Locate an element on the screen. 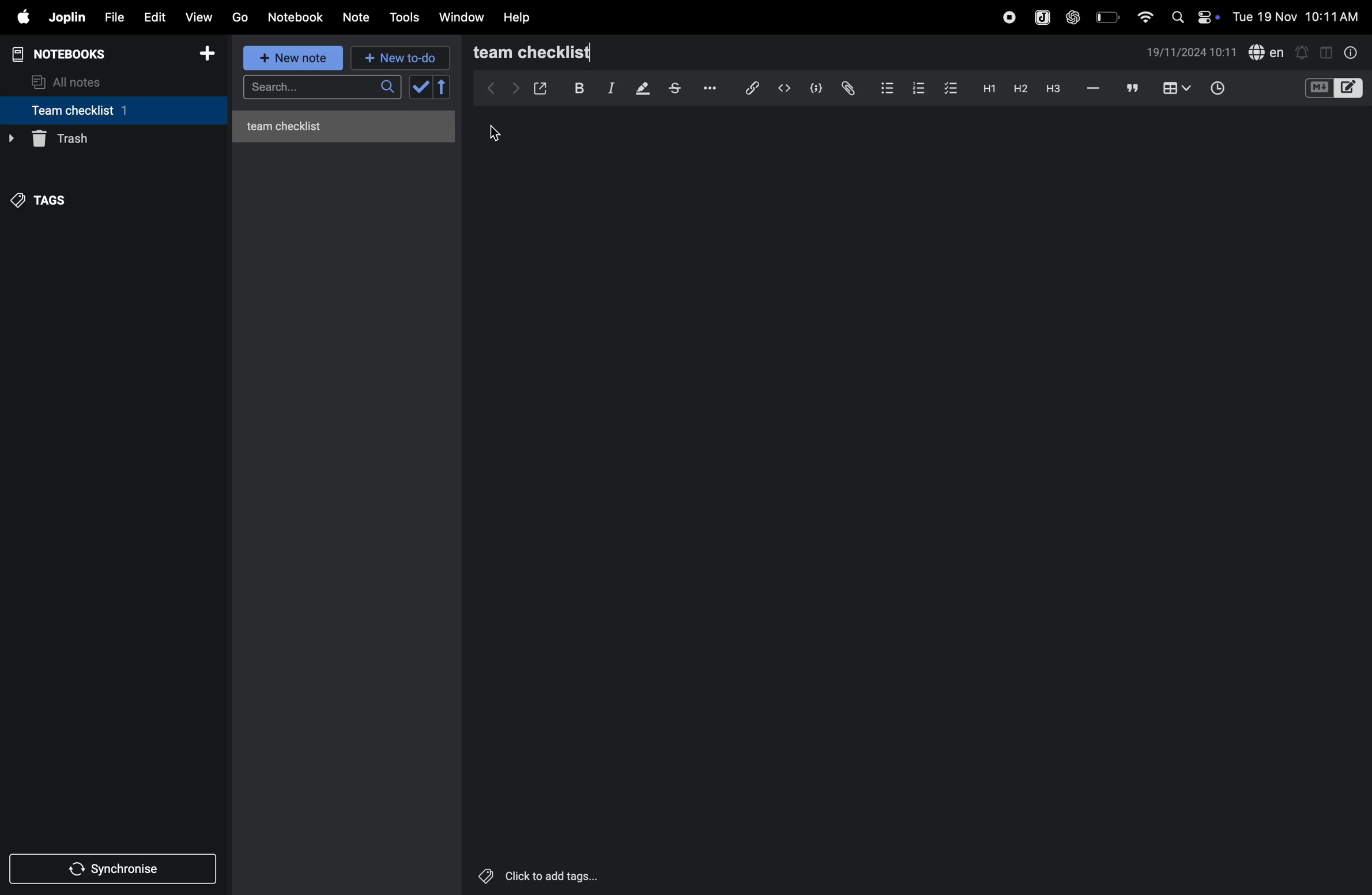  edit is located at coordinates (154, 16).